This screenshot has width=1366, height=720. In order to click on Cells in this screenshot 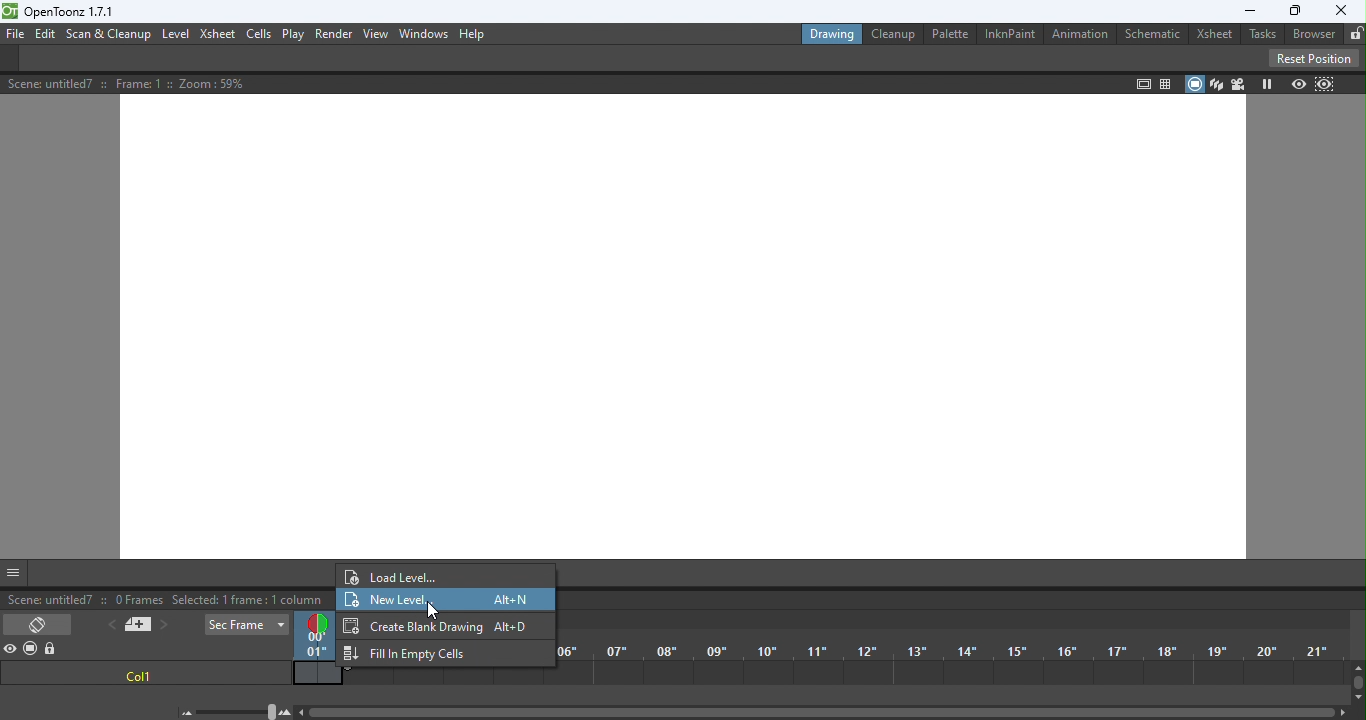, I will do `click(258, 35)`.